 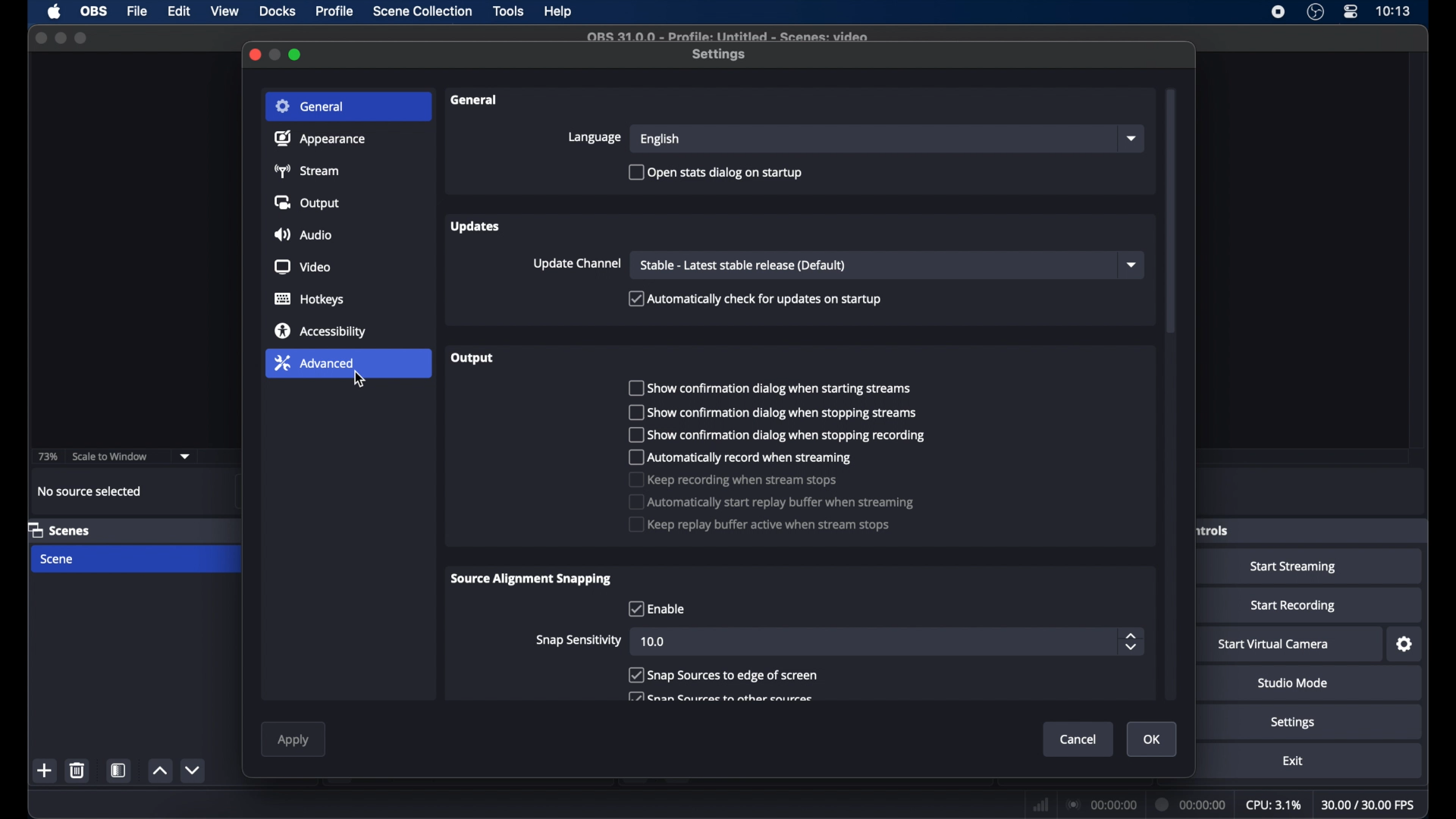 What do you see at coordinates (160, 771) in the screenshot?
I see `increment` at bounding box center [160, 771].